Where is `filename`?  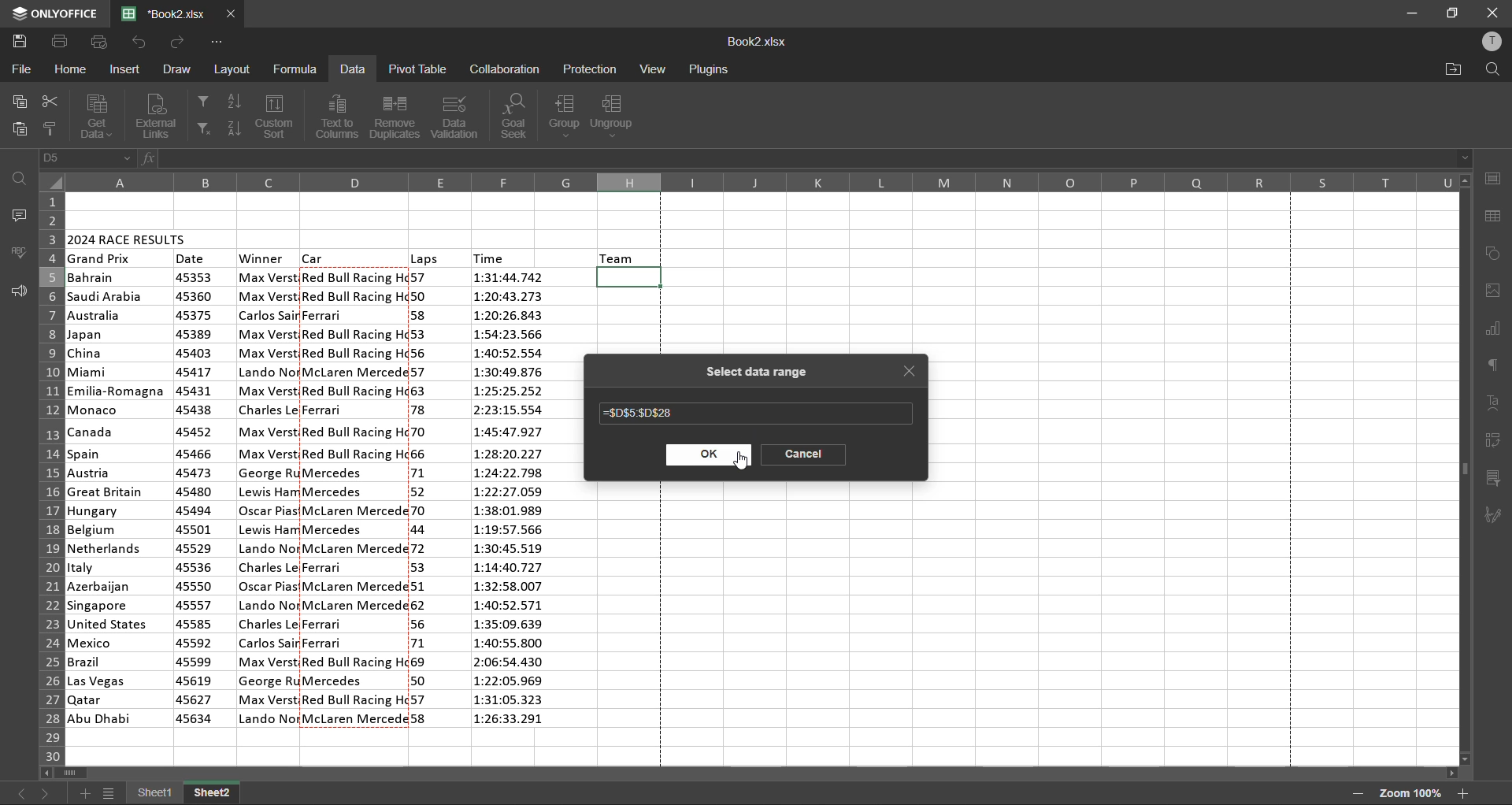 filename is located at coordinates (169, 13).